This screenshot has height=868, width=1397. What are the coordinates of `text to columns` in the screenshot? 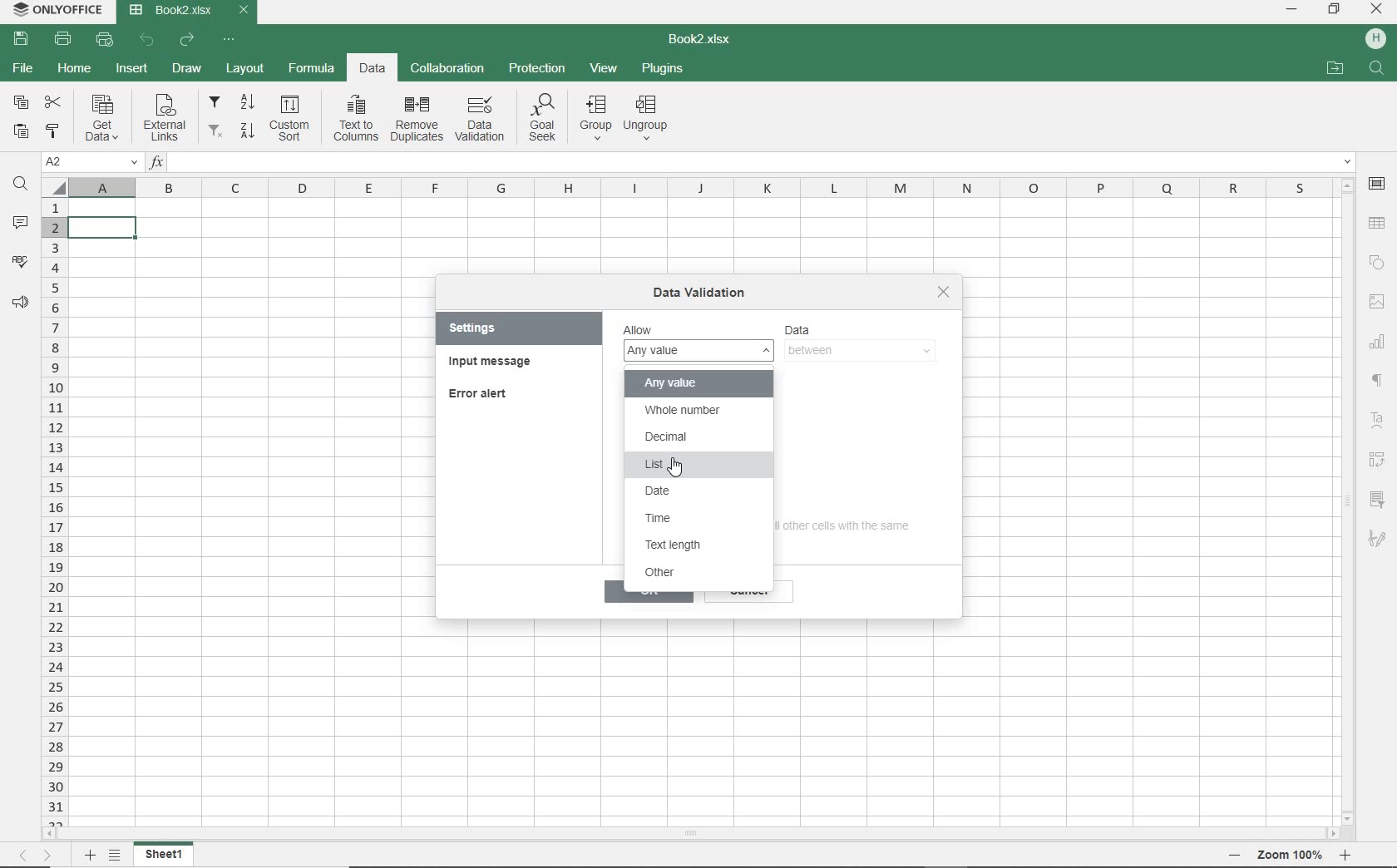 It's located at (357, 117).